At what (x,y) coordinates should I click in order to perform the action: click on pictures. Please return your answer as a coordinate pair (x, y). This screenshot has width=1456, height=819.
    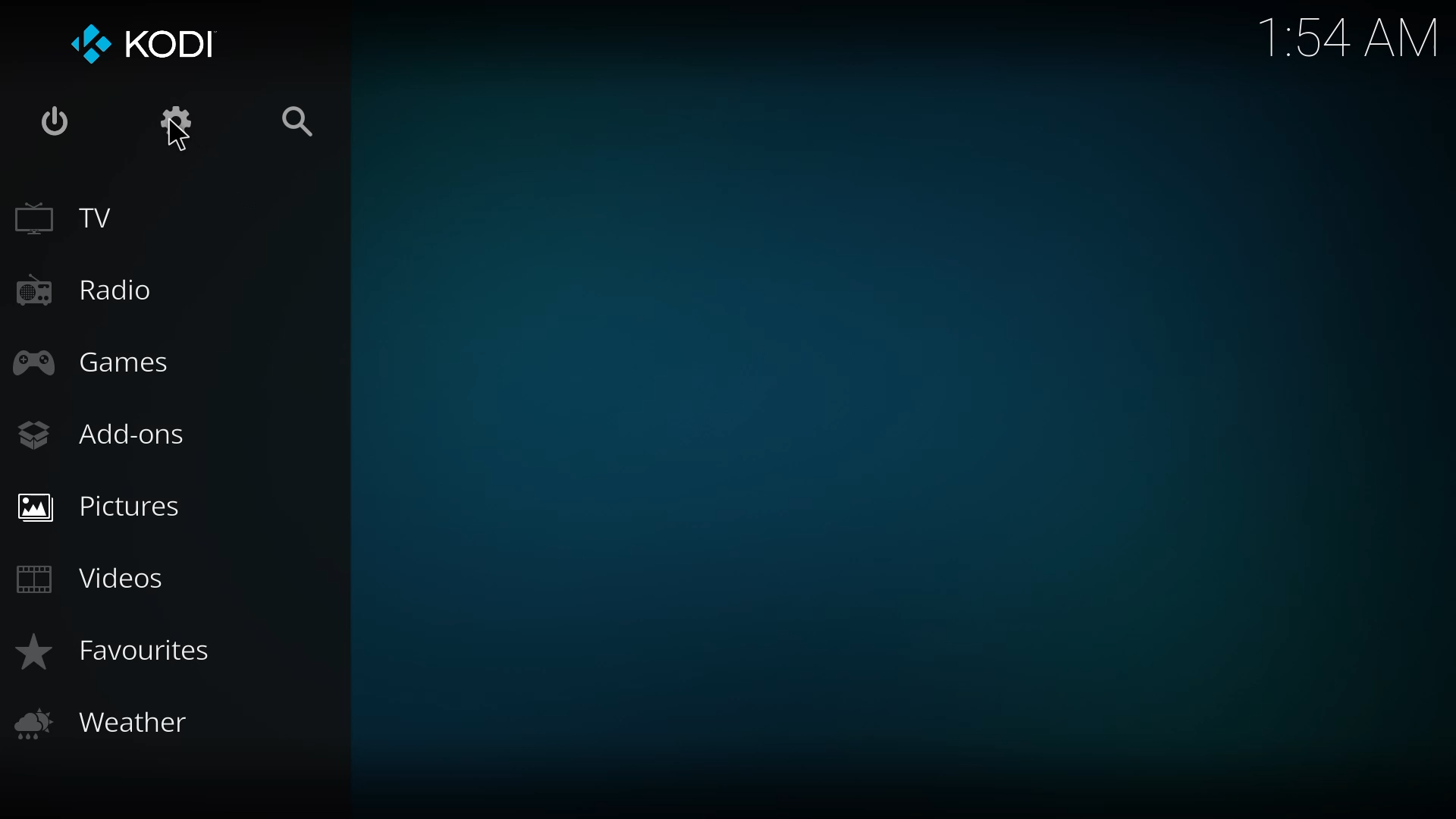
    Looking at the image, I should click on (103, 506).